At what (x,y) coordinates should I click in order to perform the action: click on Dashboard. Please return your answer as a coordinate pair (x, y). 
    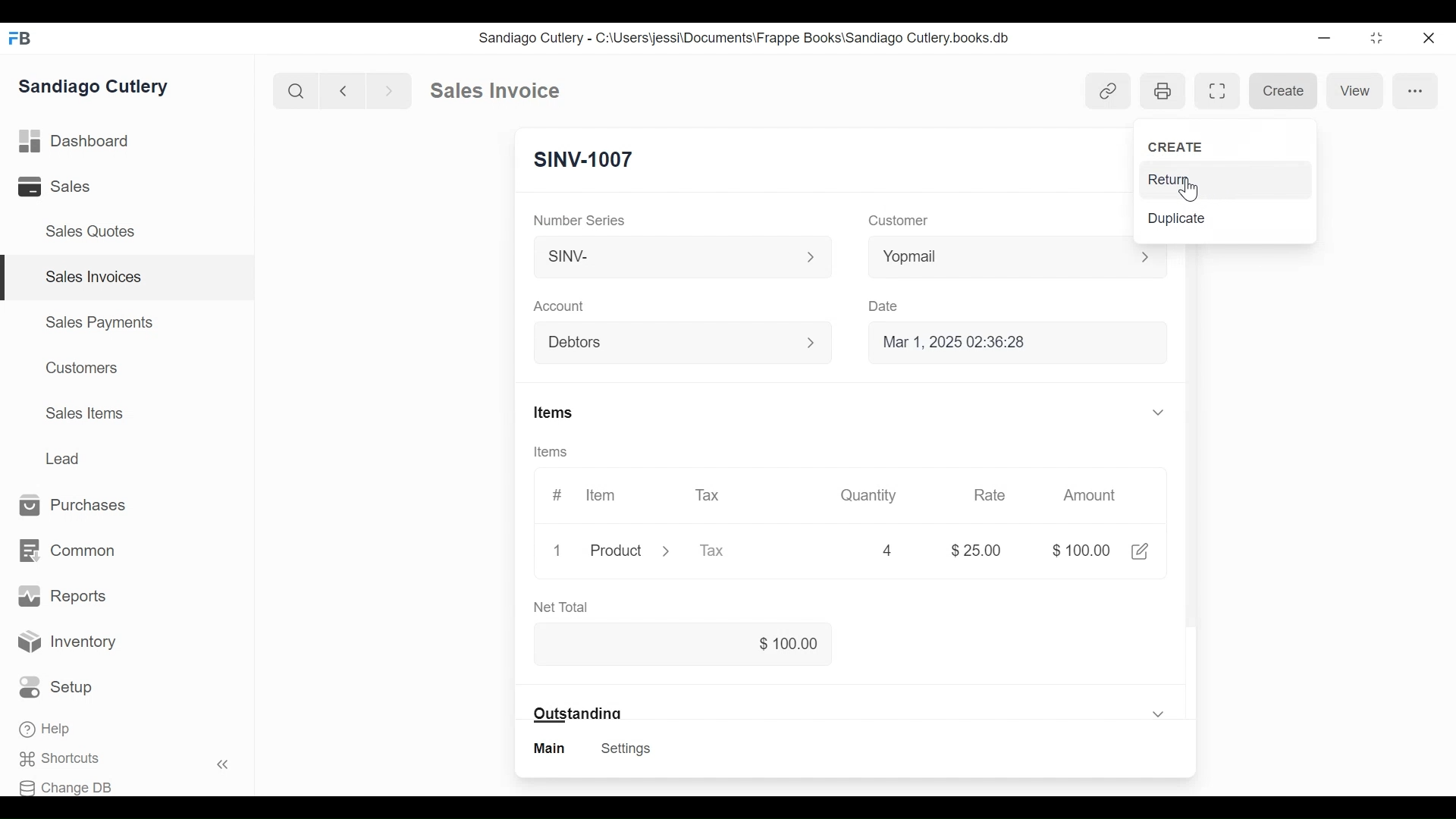
    Looking at the image, I should click on (74, 141).